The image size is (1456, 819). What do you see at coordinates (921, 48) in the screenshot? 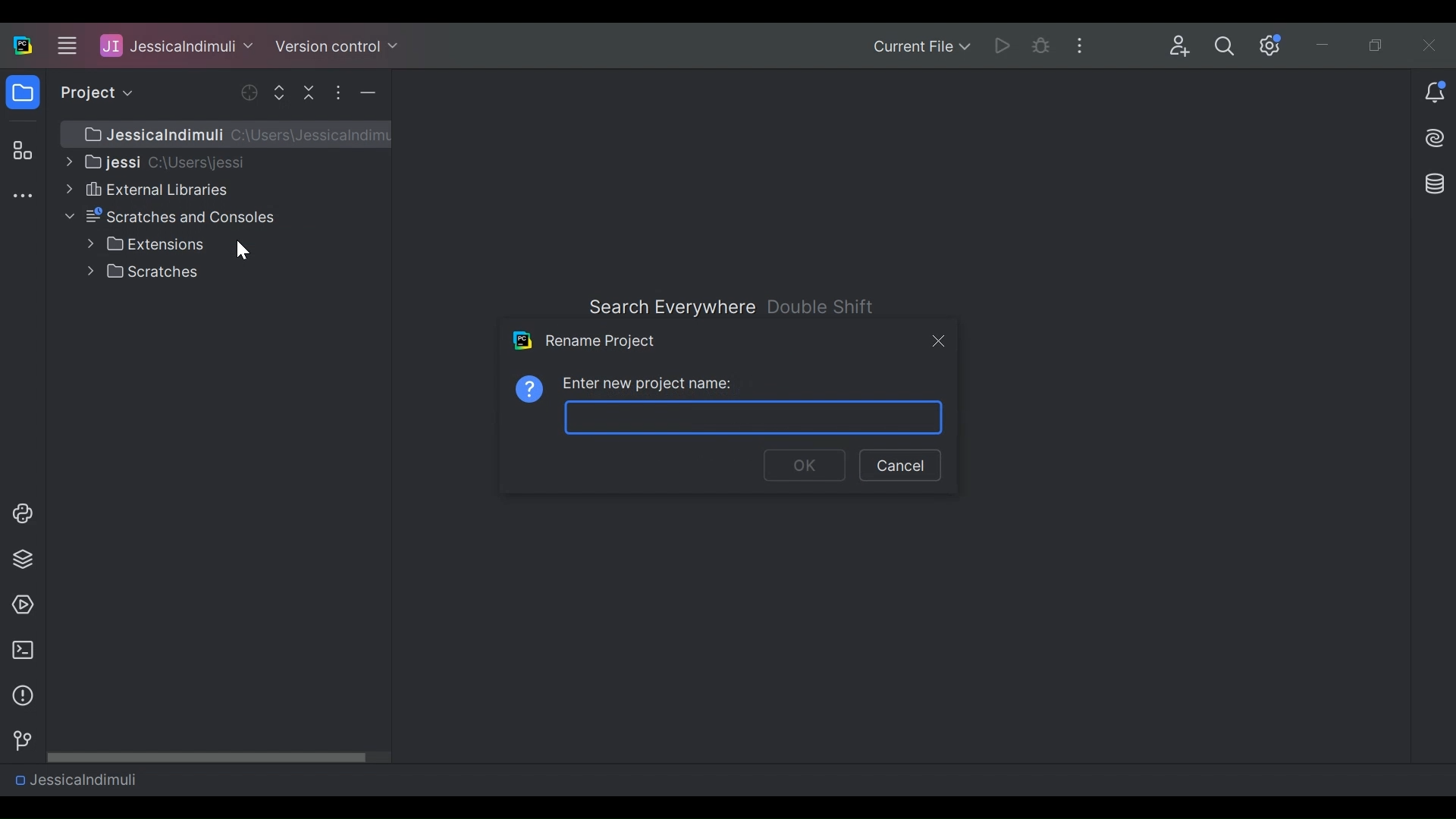
I see `Current File` at bounding box center [921, 48].